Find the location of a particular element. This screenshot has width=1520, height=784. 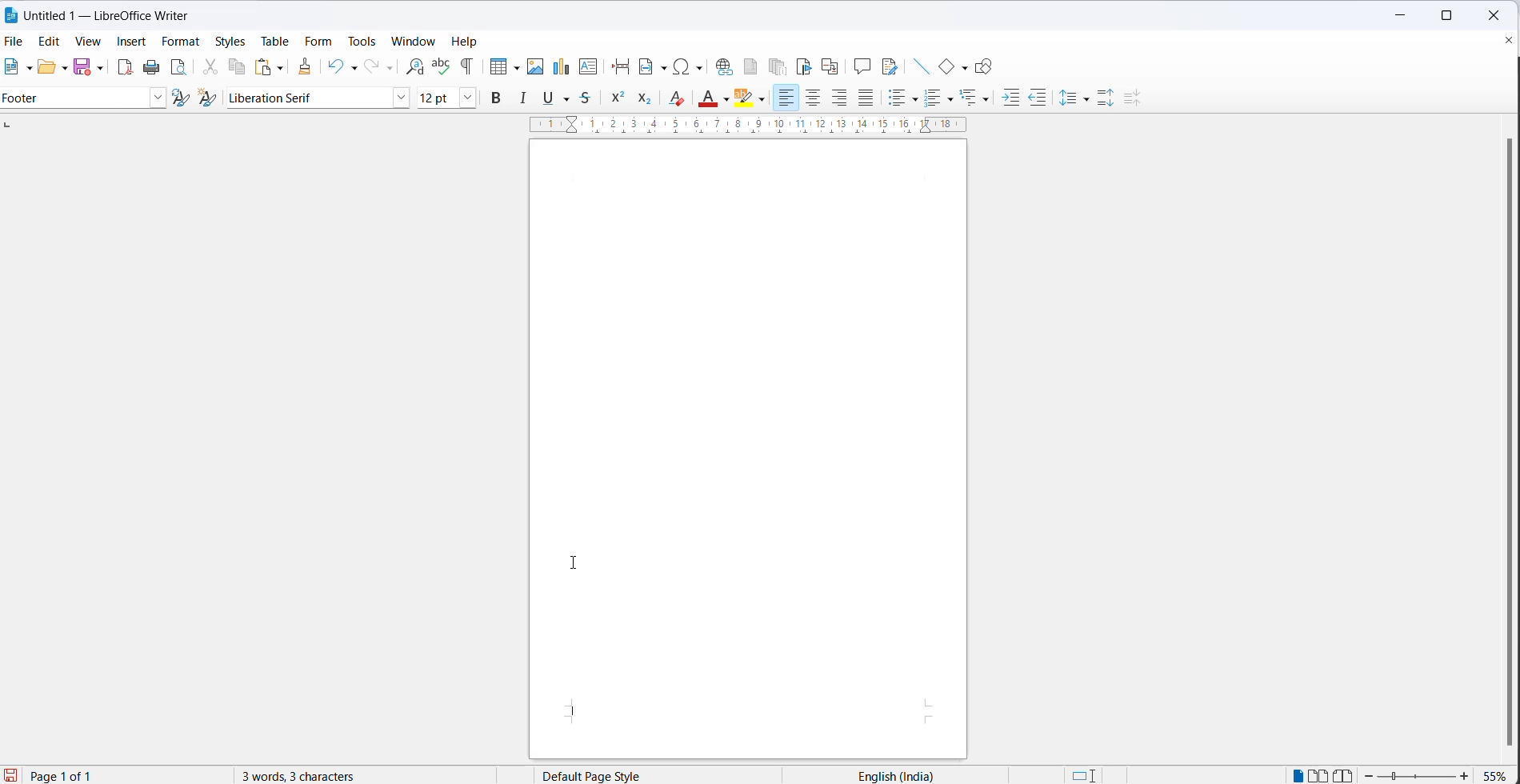

double page view is located at coordinates (1319, 774).